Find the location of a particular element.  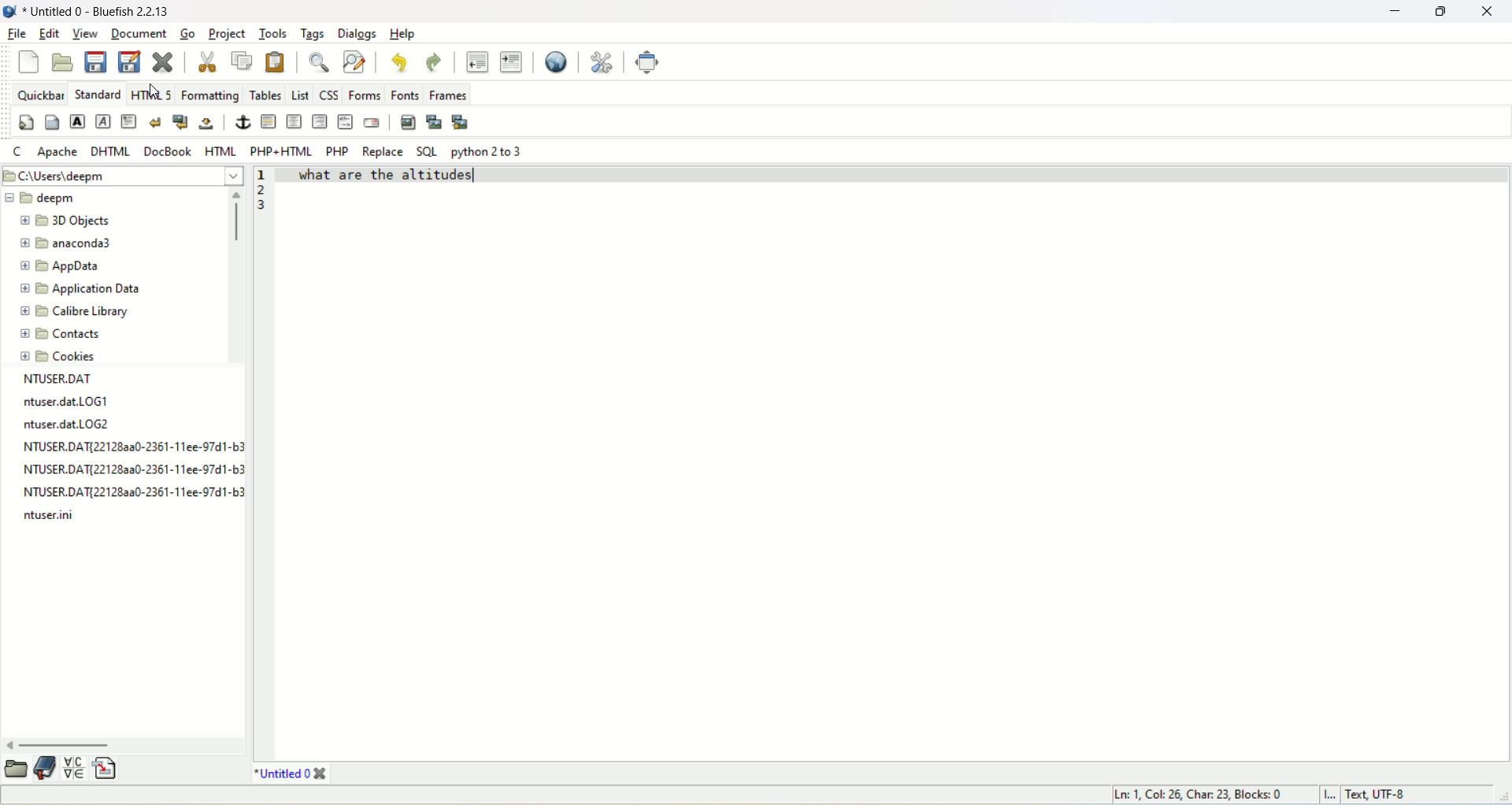

open is located at coordinates (15, 770).